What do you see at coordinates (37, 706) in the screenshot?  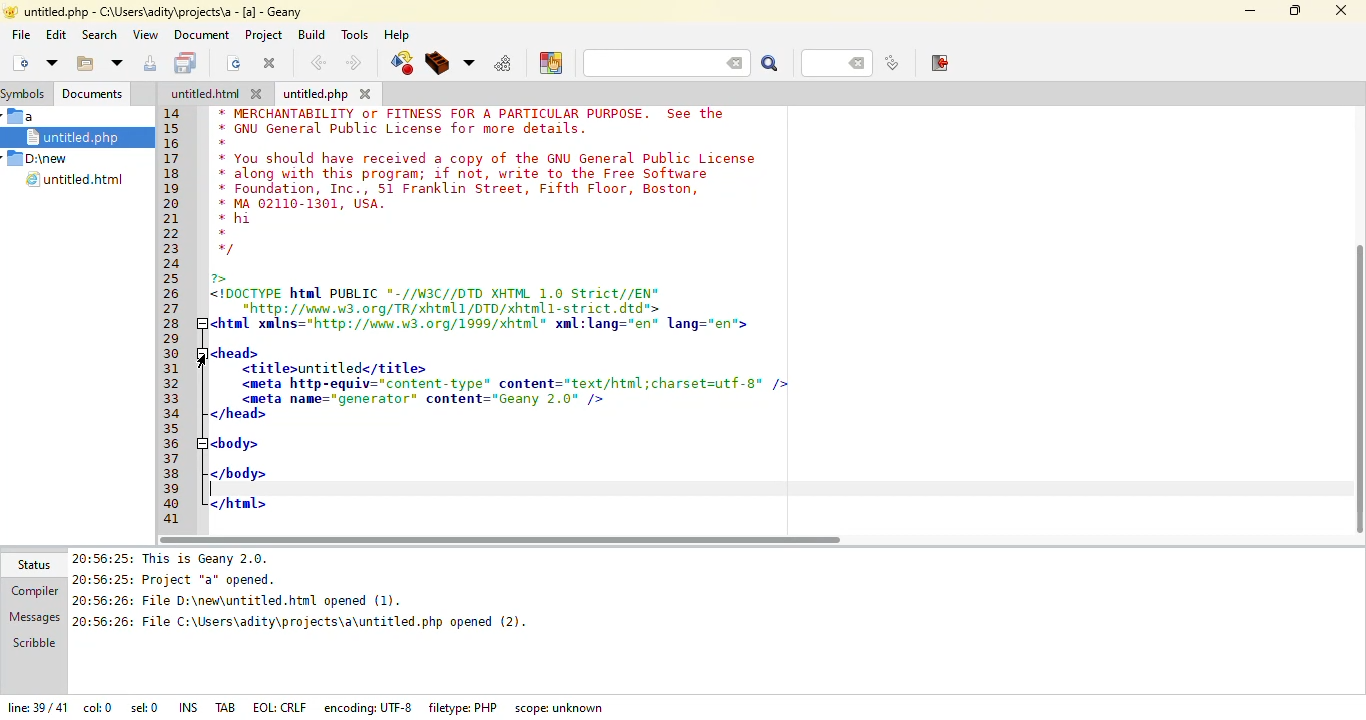 I see `line: 39/41` at bounding box center [37, 706].